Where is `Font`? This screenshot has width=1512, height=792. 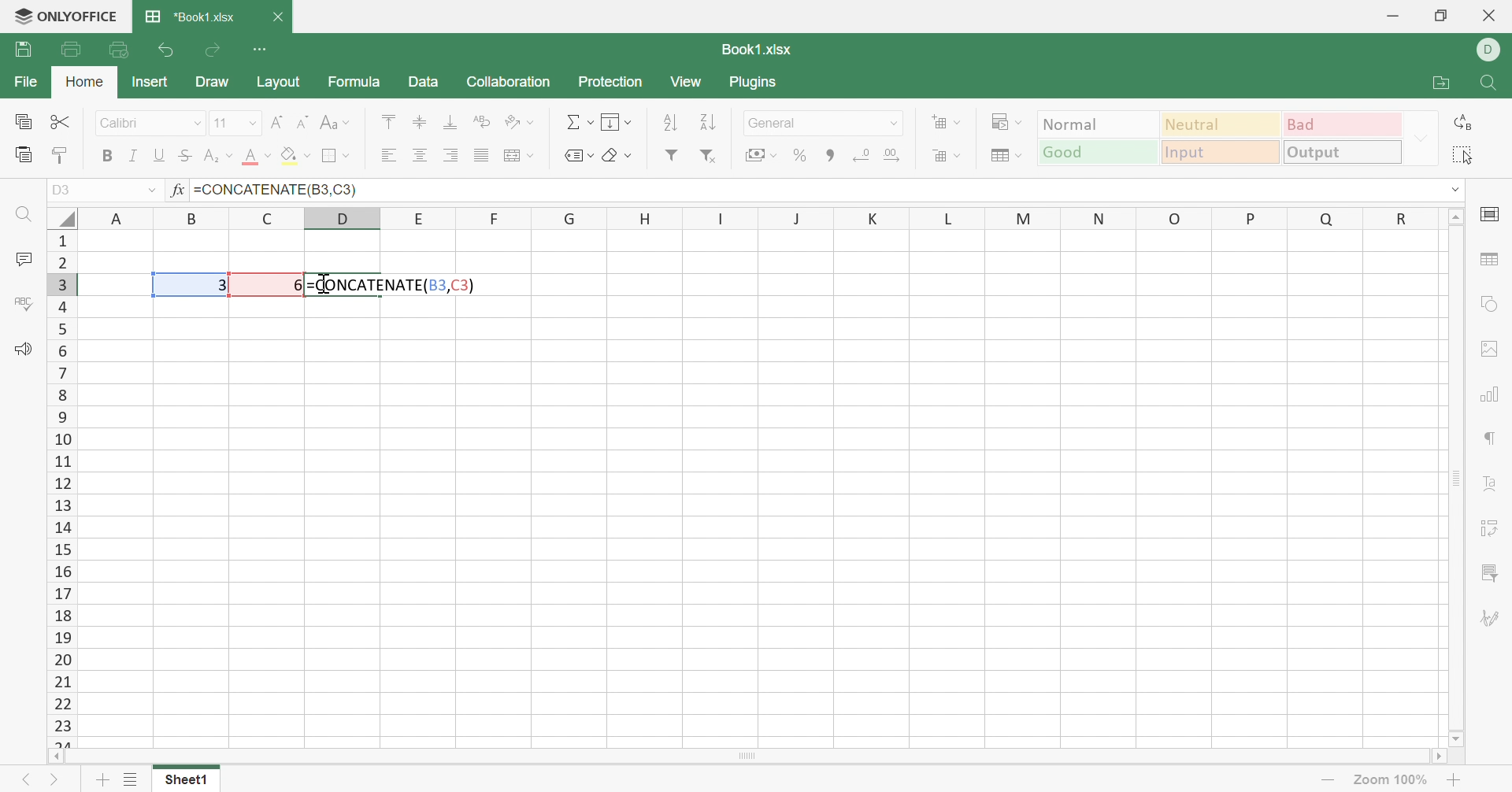 Font is located at coordinates (150, 122).